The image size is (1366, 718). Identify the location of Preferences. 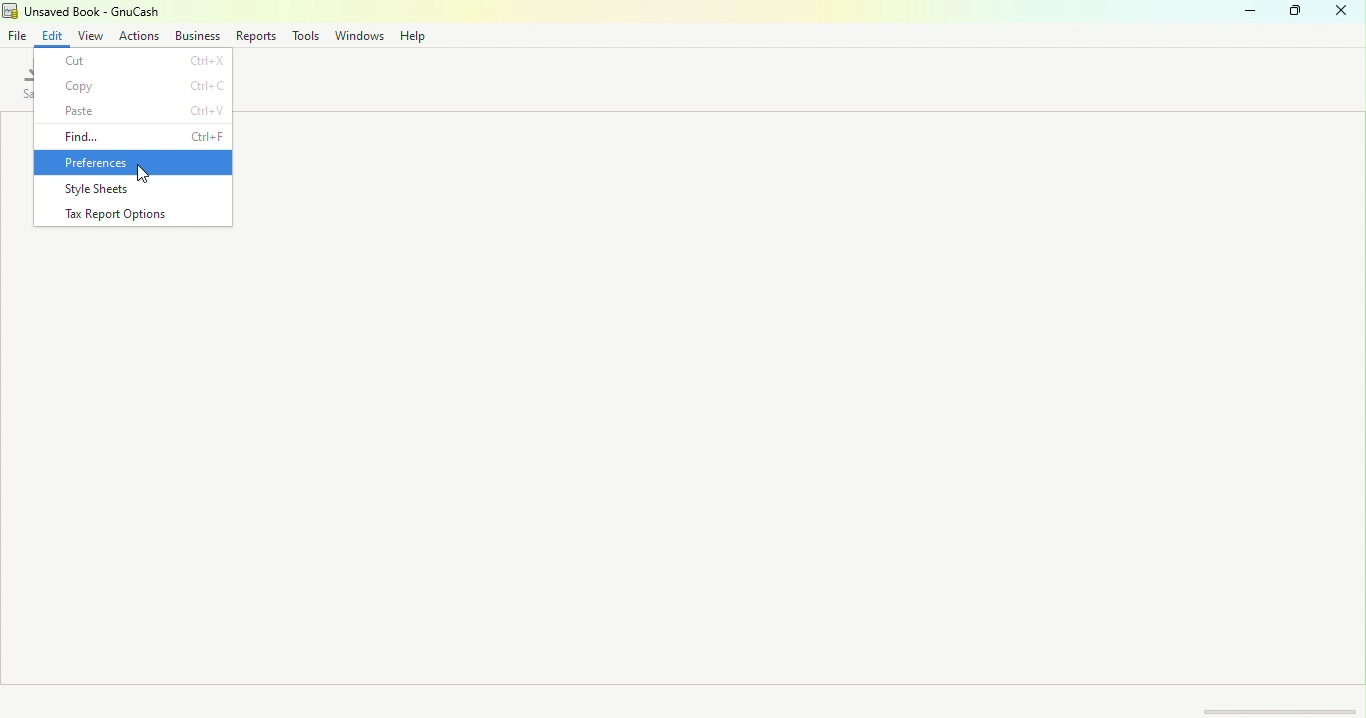
(132, 163).